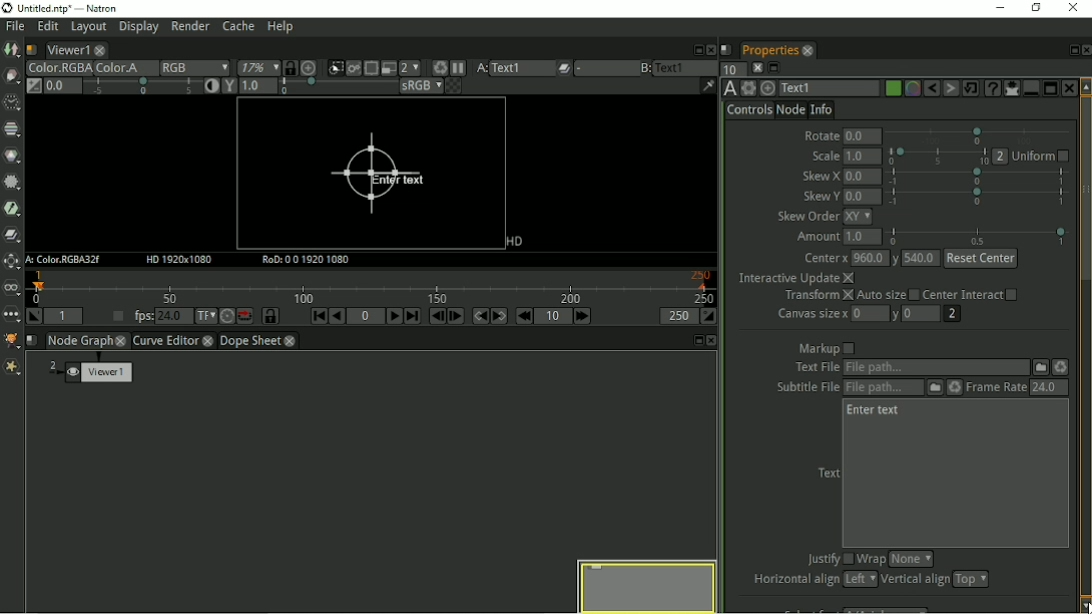  Describe the element at coordinates (1085, 345) in the screenshot. I see `Vertical scrollbar` at that location.